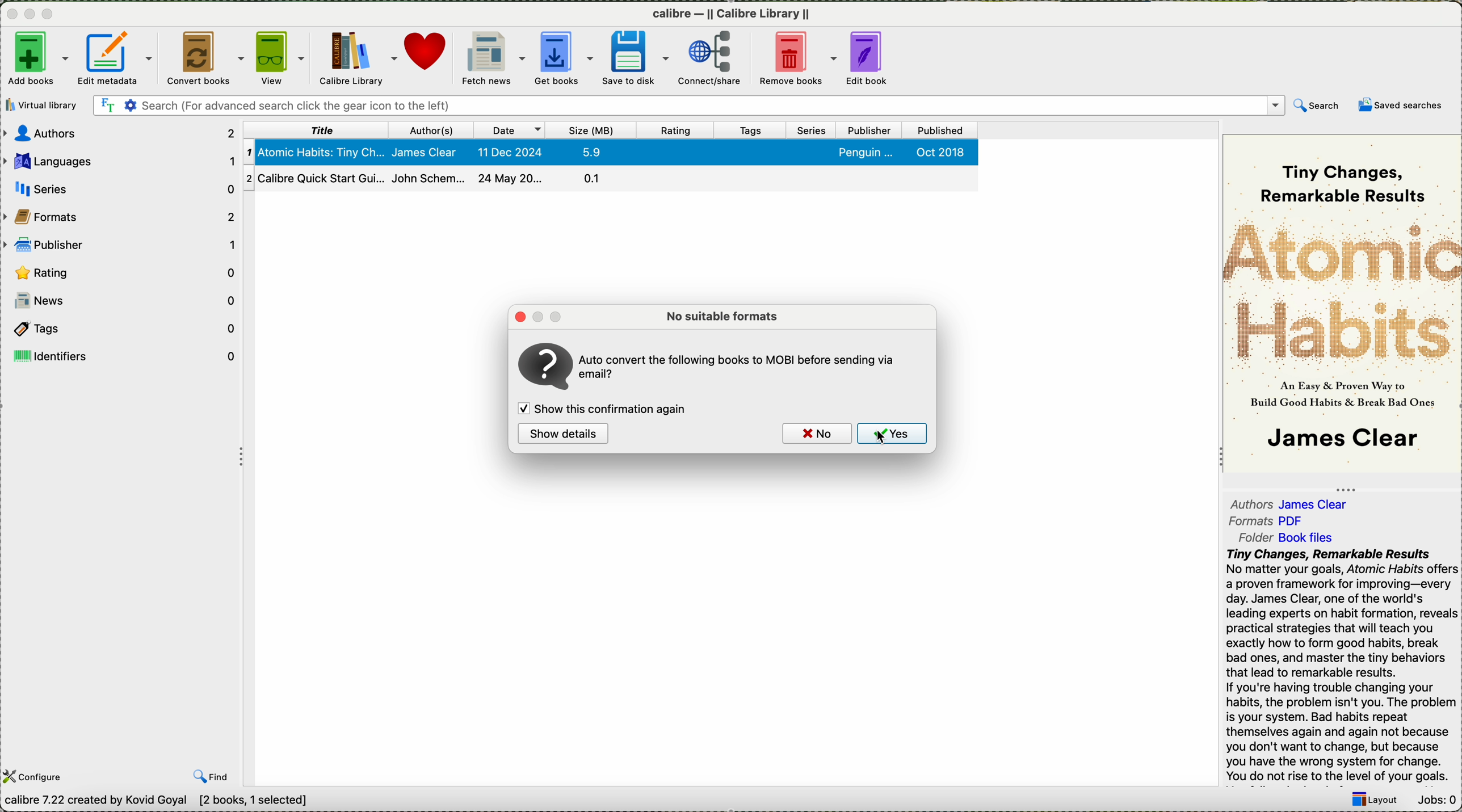  I want to click on configure, so click(35, 777).